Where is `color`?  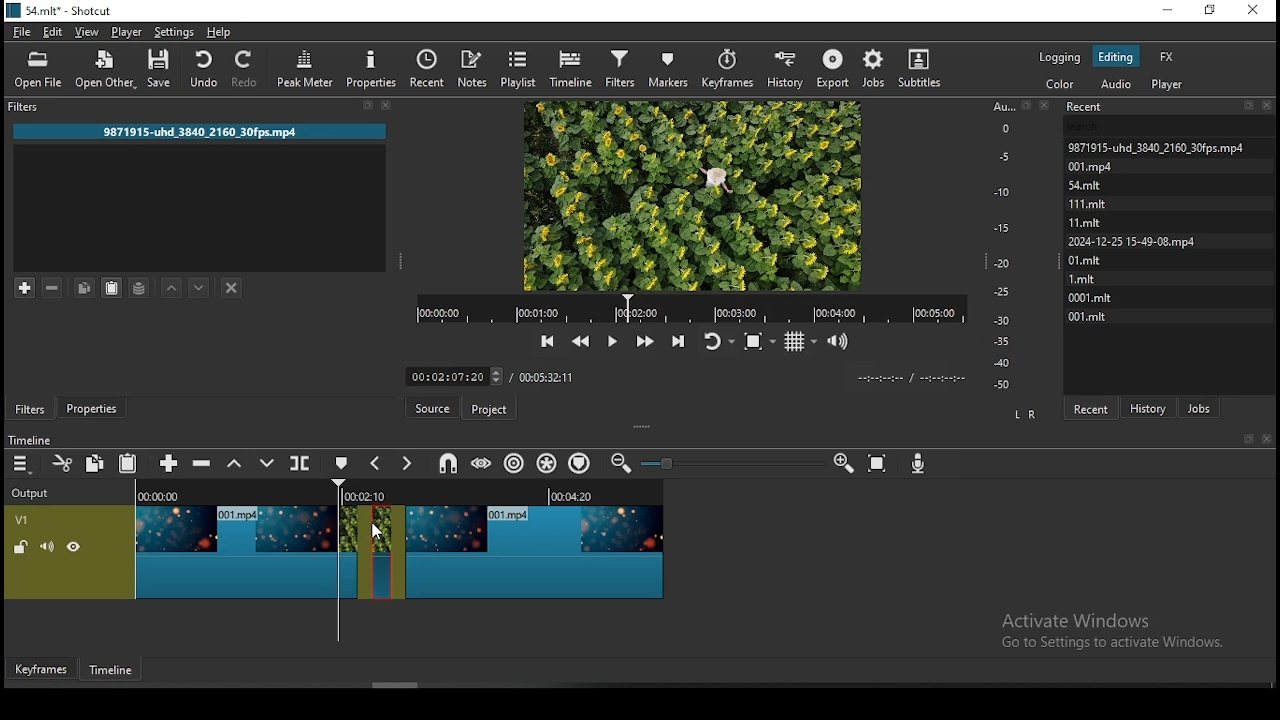
color is located at coordinates (1062, 86).